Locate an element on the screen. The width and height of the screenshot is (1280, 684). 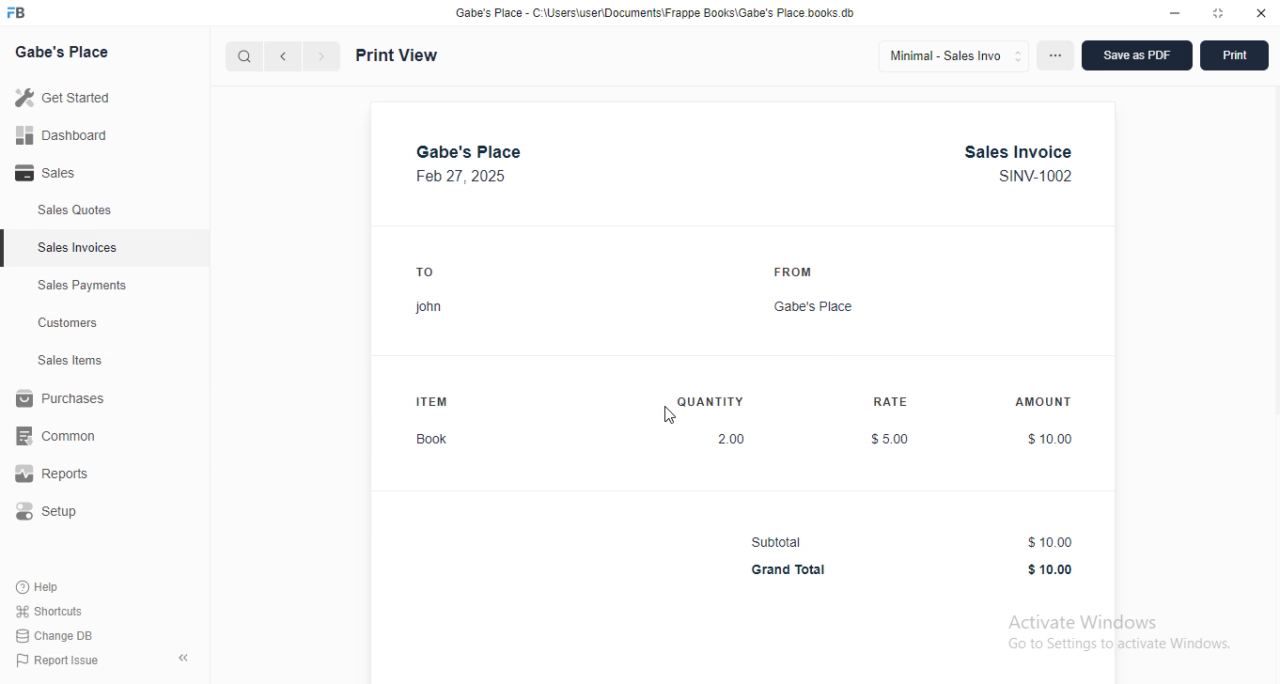
print is located at coordinates (1235, 55).